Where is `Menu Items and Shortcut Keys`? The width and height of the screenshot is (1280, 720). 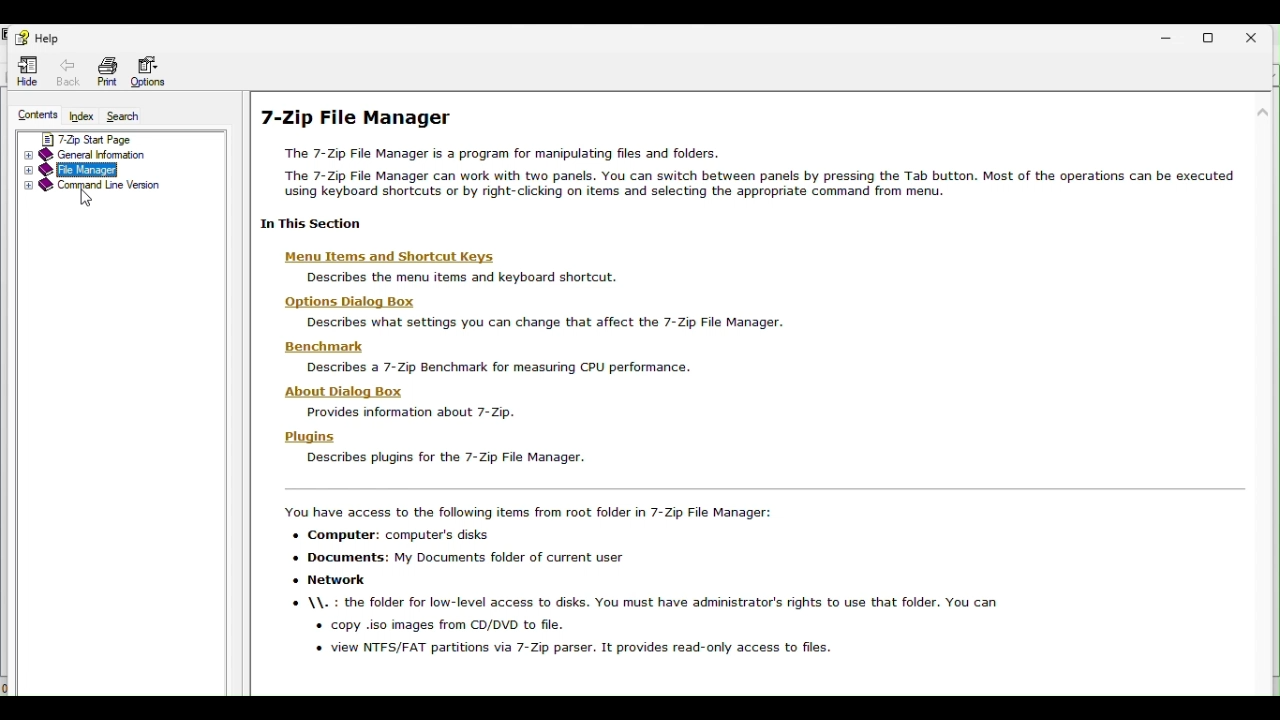
Menu Items and Shortcut Keys is located at coordinates (390, 258).